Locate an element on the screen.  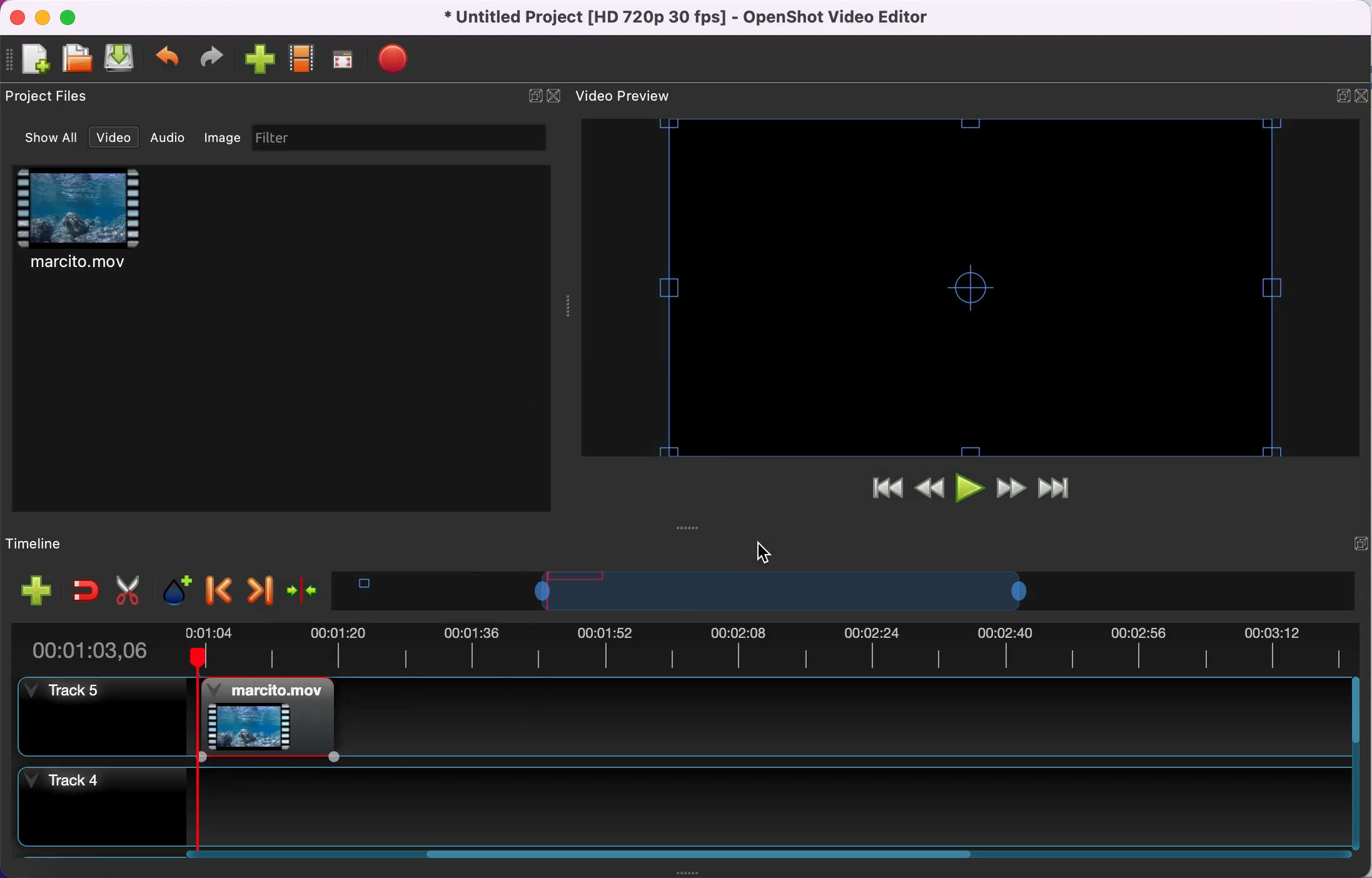
video preview is located at coordinates (645, 98).